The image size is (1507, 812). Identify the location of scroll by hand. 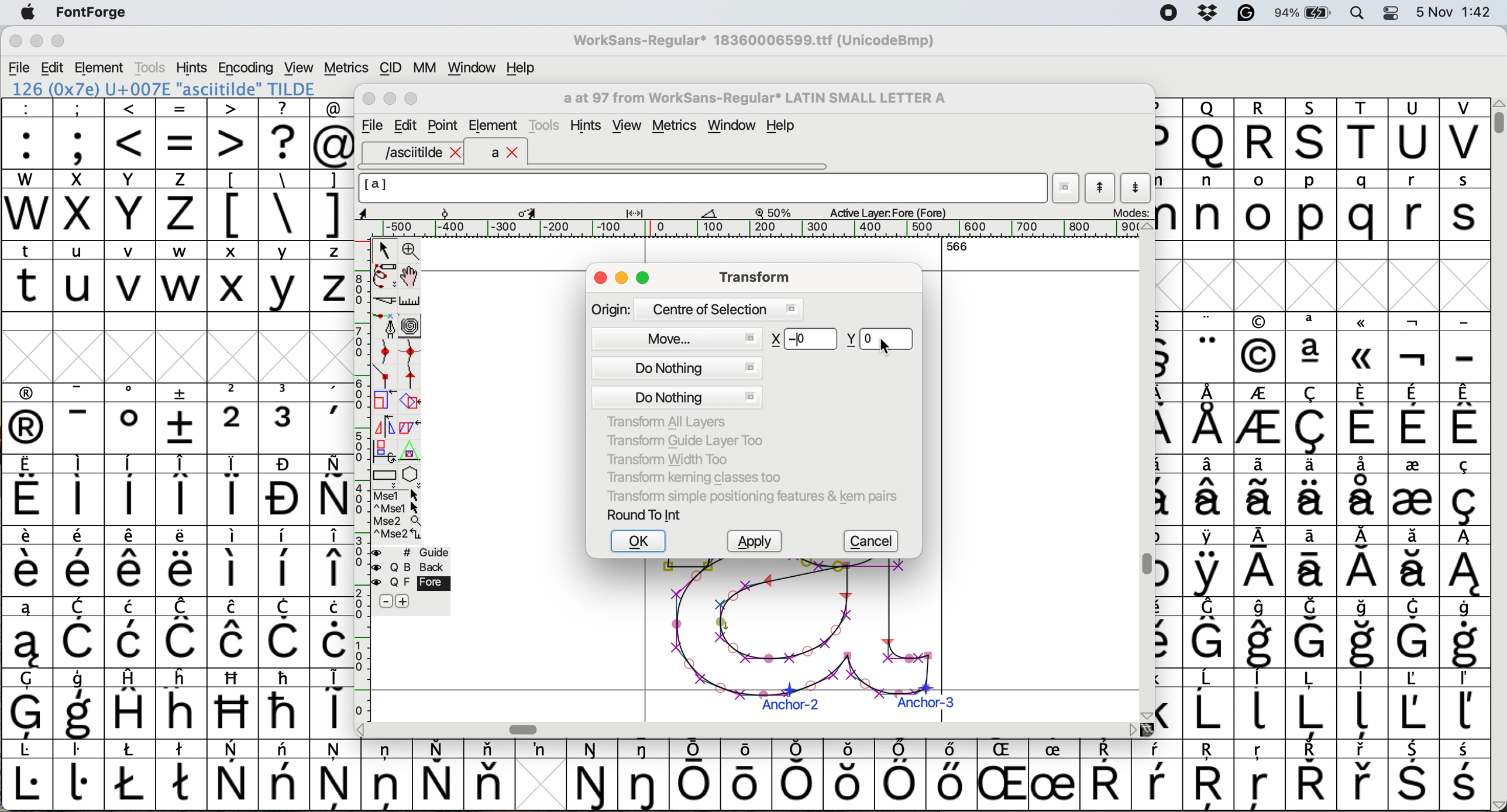
(411, 277).